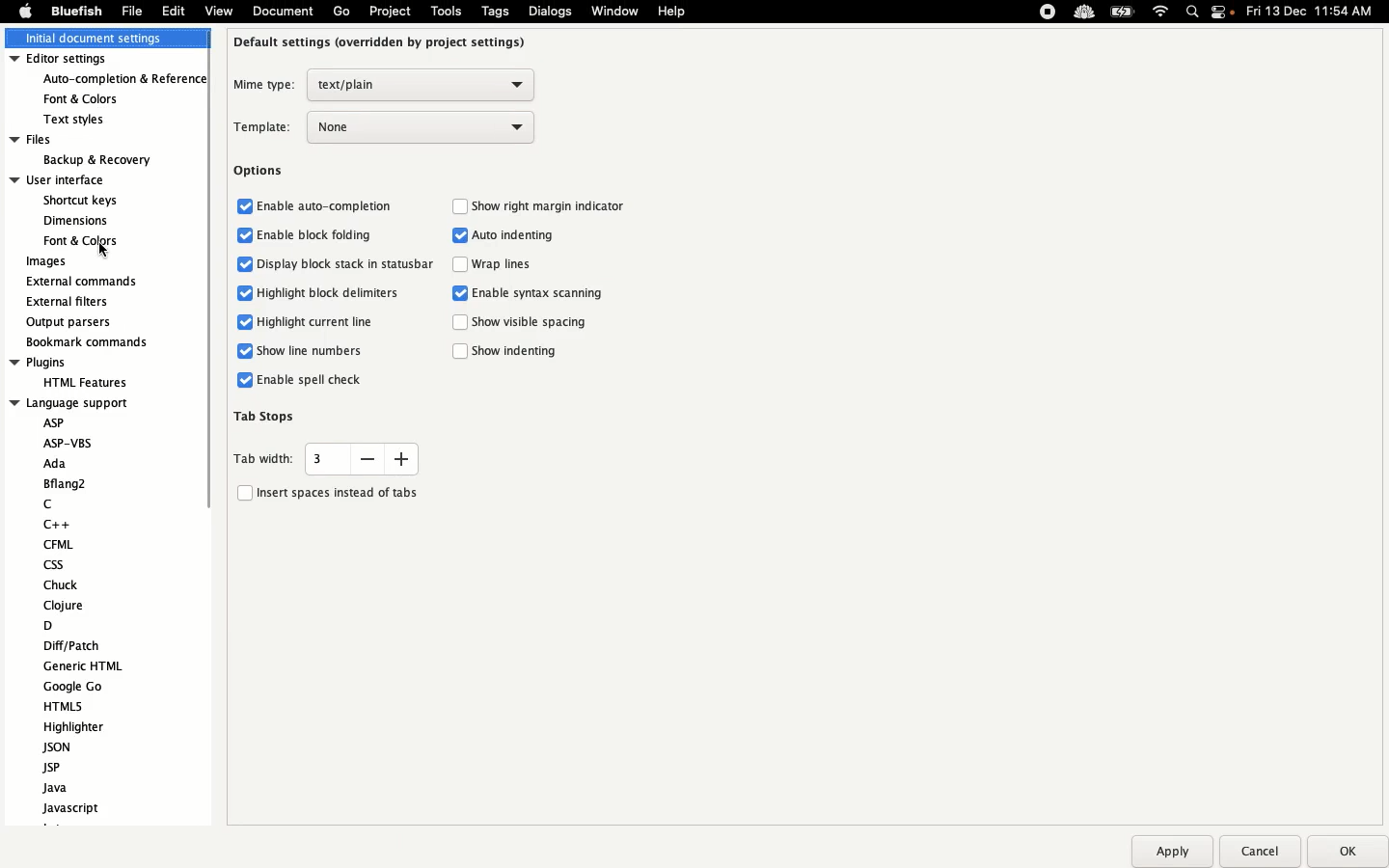 The image size is (1389, 868). What do you see at coordinates (132, 11) in the screenshot?
I see `File` at bounding box center [132, 11].